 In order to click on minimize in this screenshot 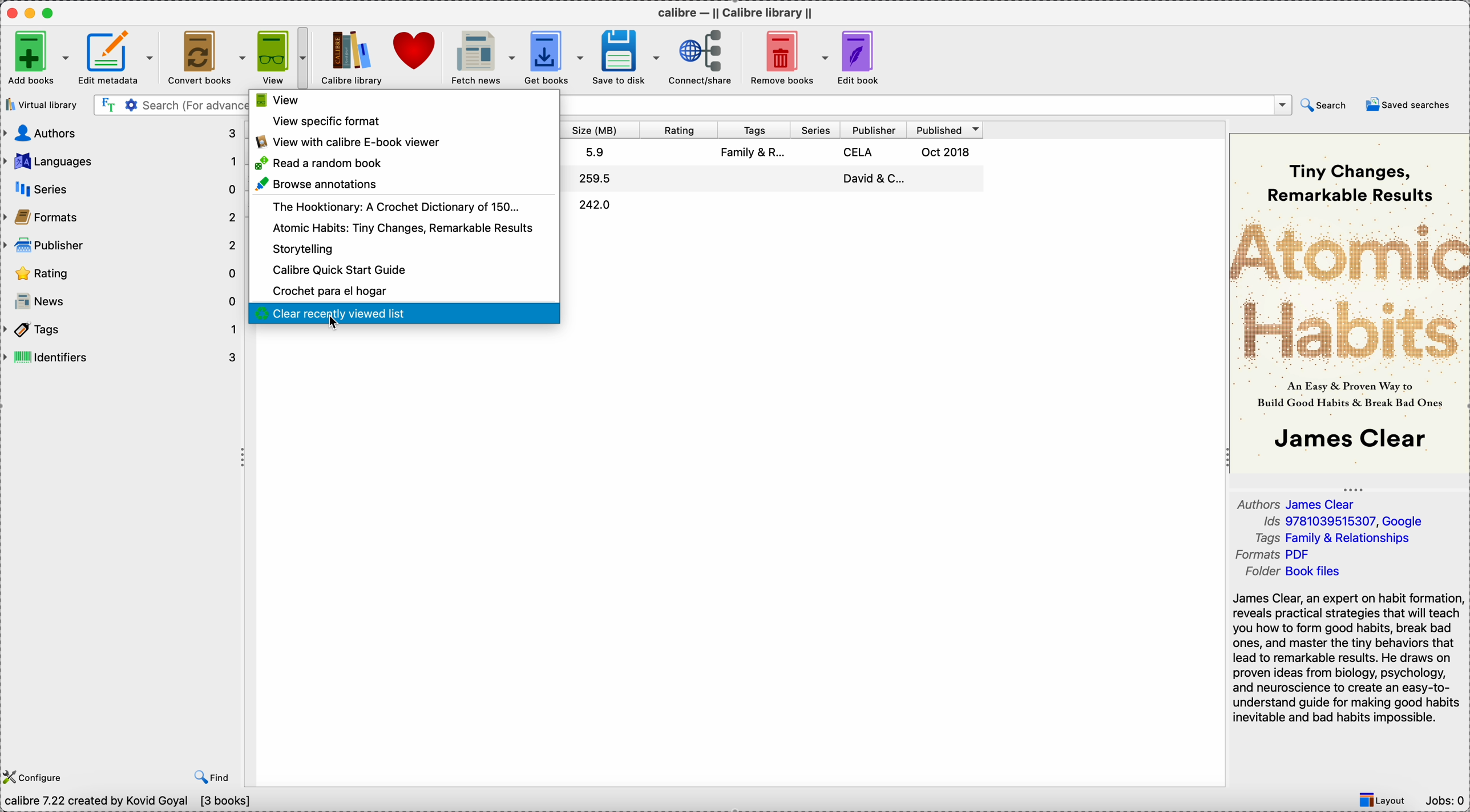, I will do `click(32, 12)`.